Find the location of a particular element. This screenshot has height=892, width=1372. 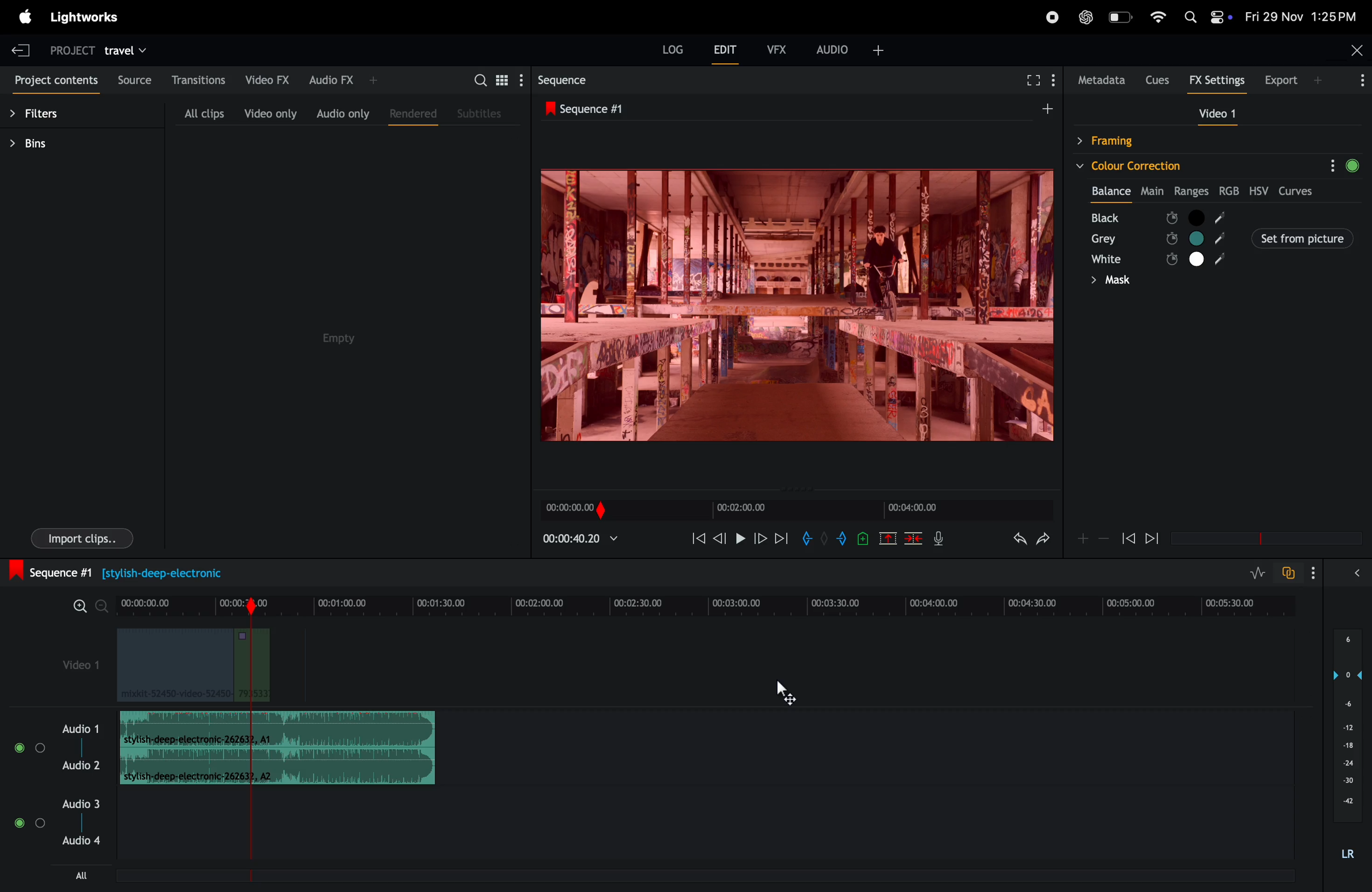

audio clip is located at coordinates (278, 729).